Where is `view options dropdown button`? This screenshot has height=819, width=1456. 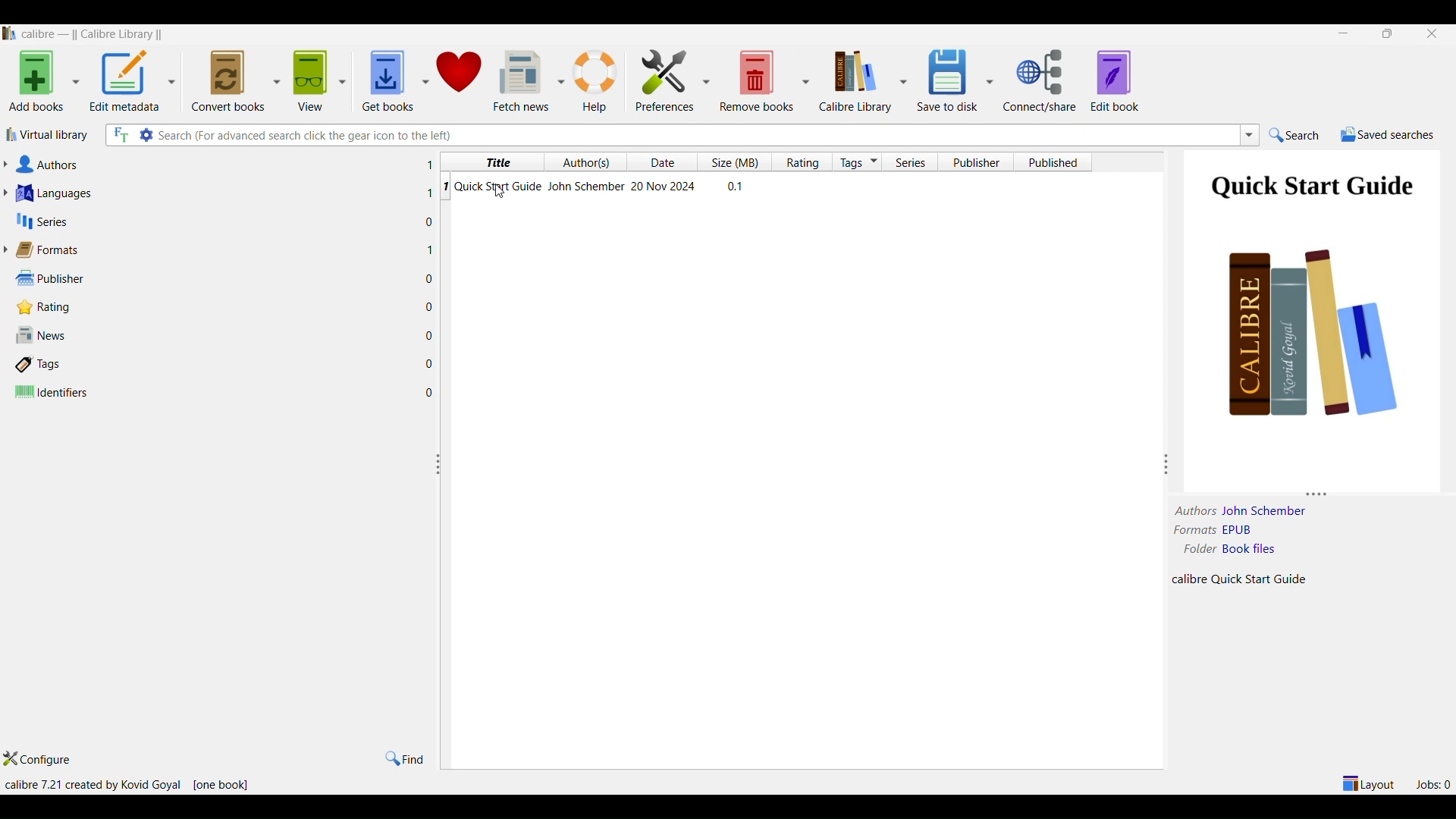
view options dropdown button is located at coordinates (347, 80).